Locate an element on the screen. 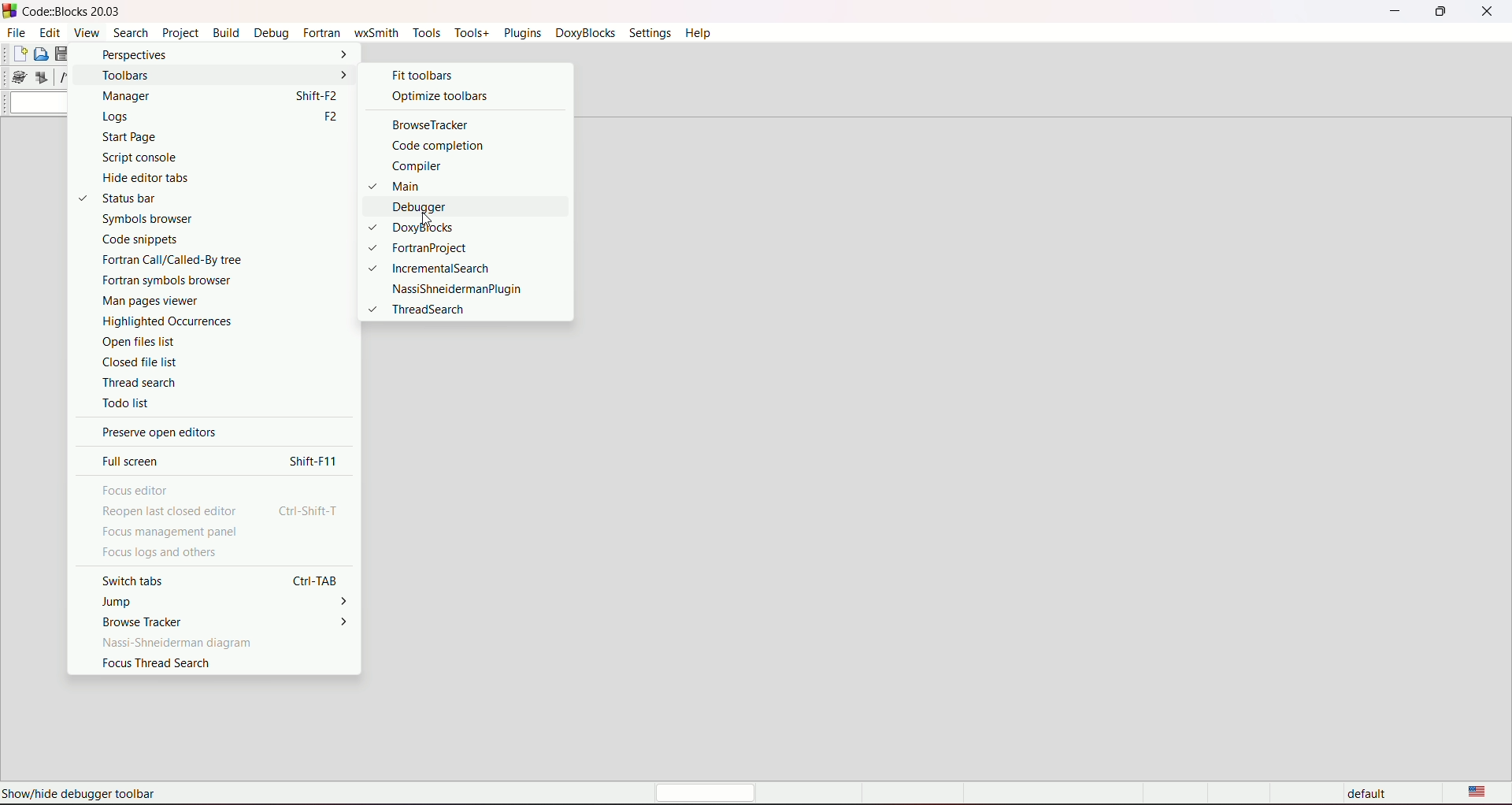 The width and height of the screenshot is (1512, 805). drop down is located at coordinates (37, 103).